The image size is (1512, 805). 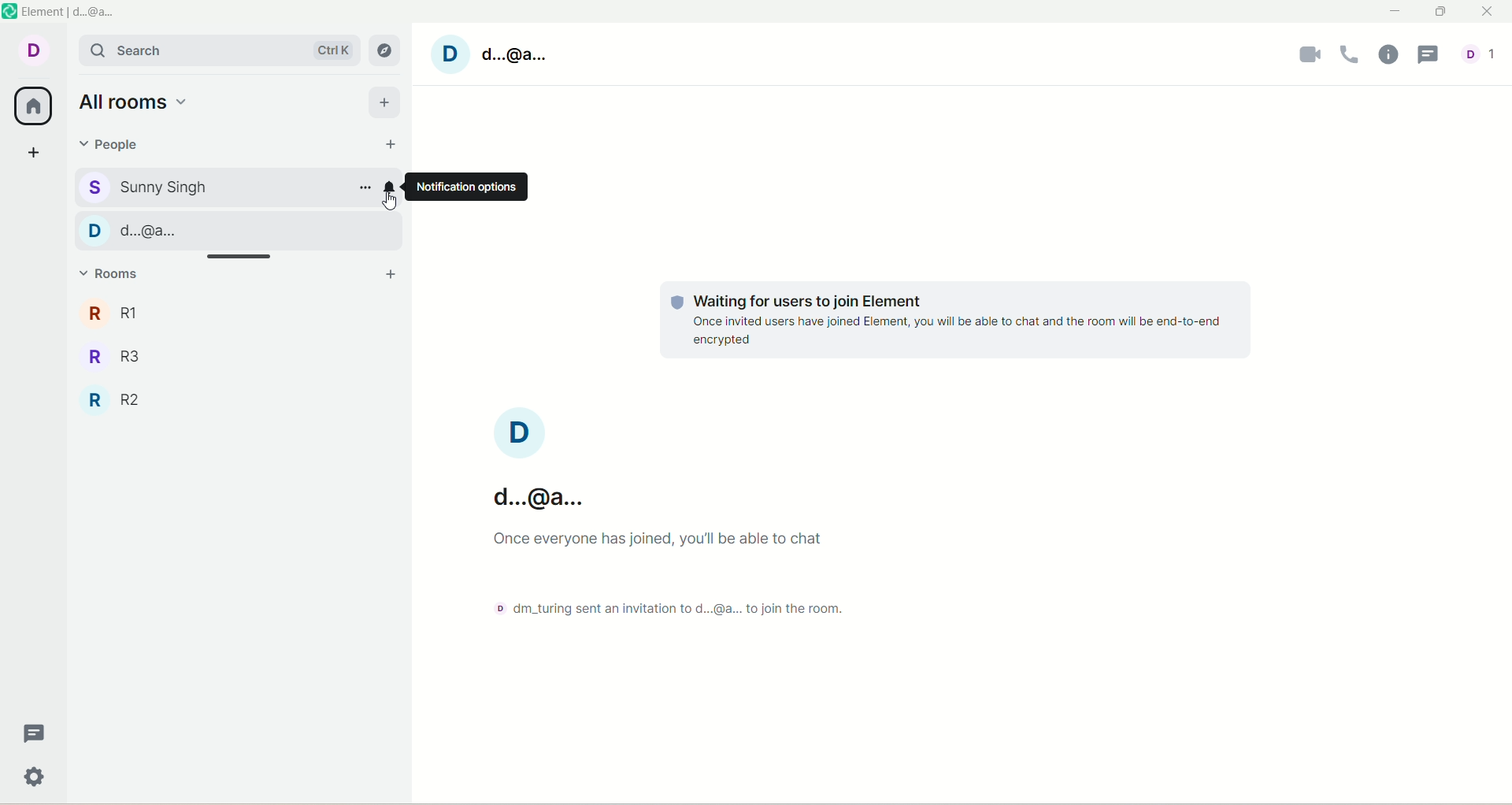 What do you see at coordinates (1482, 50) in the screenshot?
I see `account` at bounding box center [1482, 50].